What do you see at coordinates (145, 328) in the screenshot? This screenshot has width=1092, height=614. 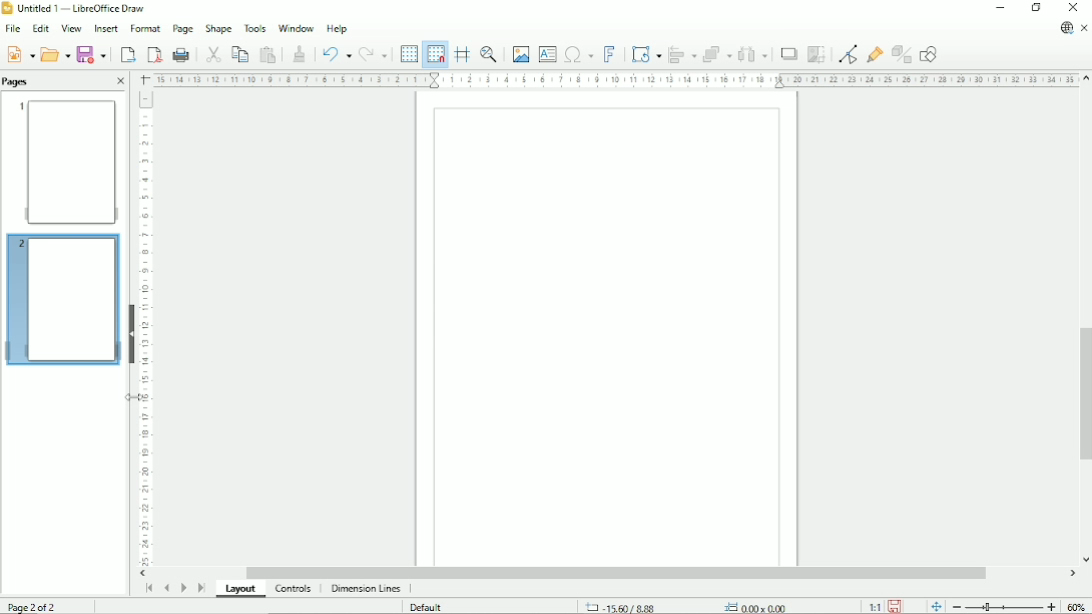 I see `Vertical scale` at bounding box center [145, 328].